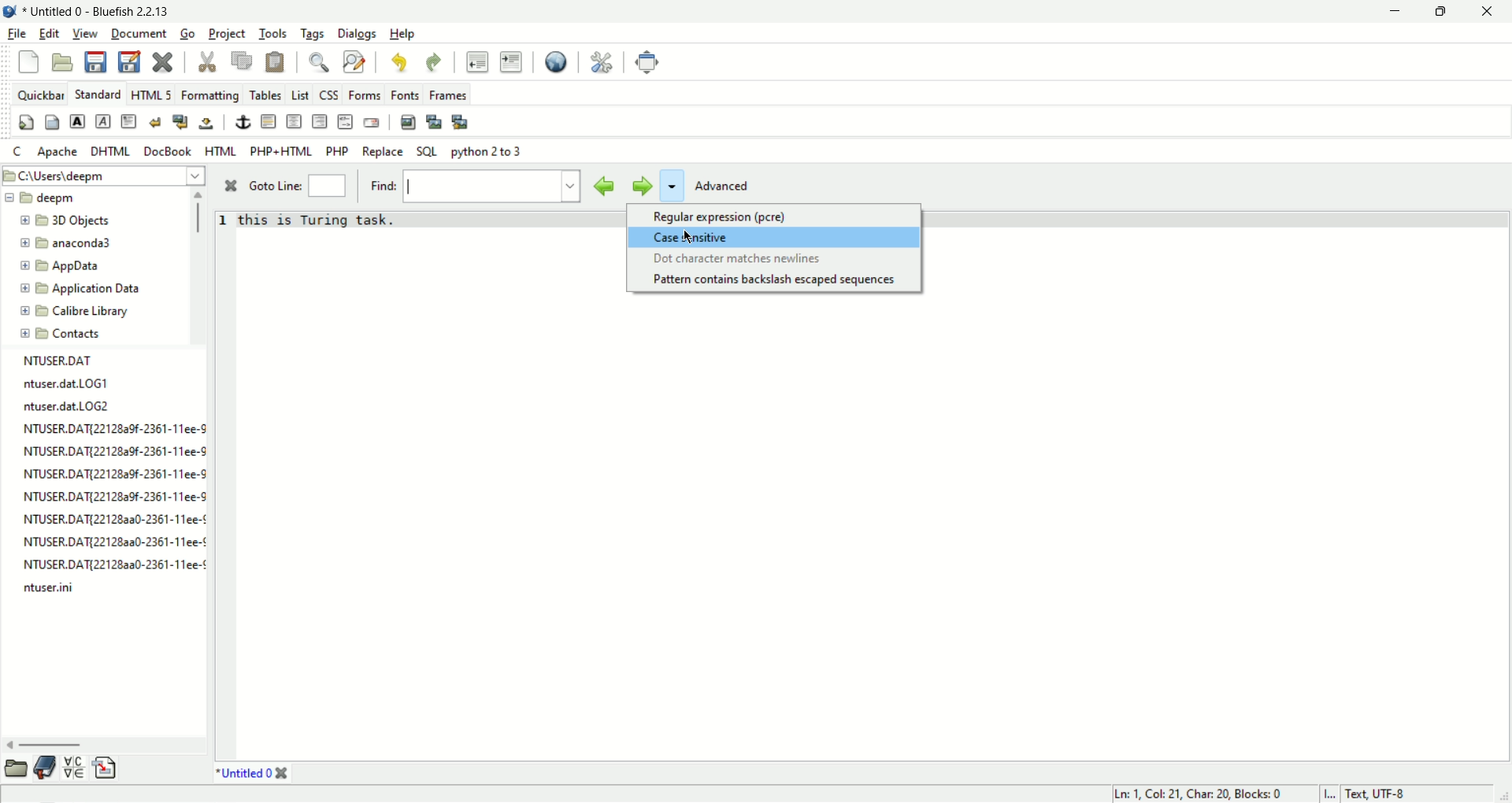 This screenshot has height=803, width=1512. What do you see at coordinates (63, 63) in the screenshot?
I see `open file` at bounding box center [63, 63].